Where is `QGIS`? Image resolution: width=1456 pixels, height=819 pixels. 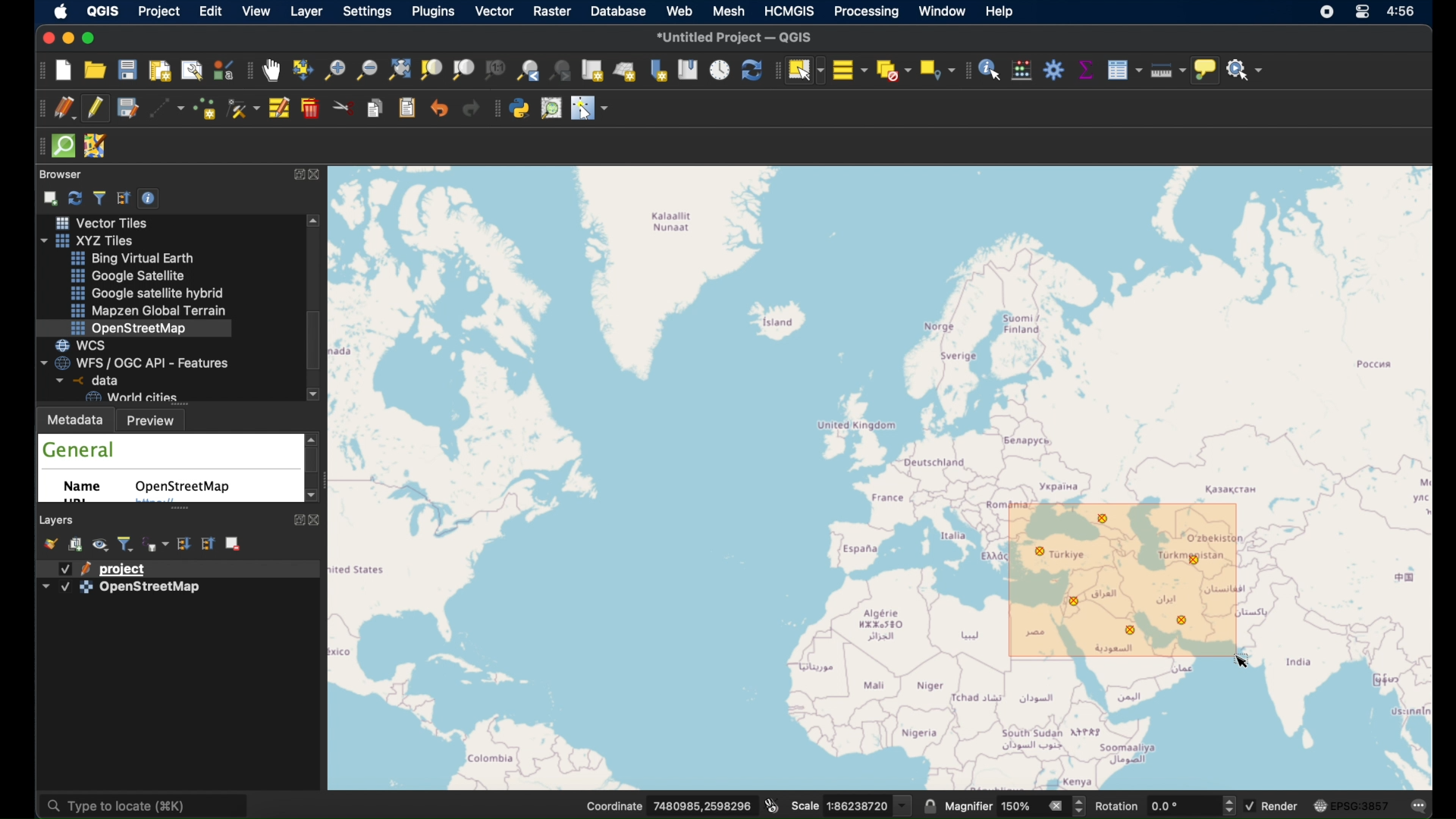 QGIS is located at coordinates (107, 10).